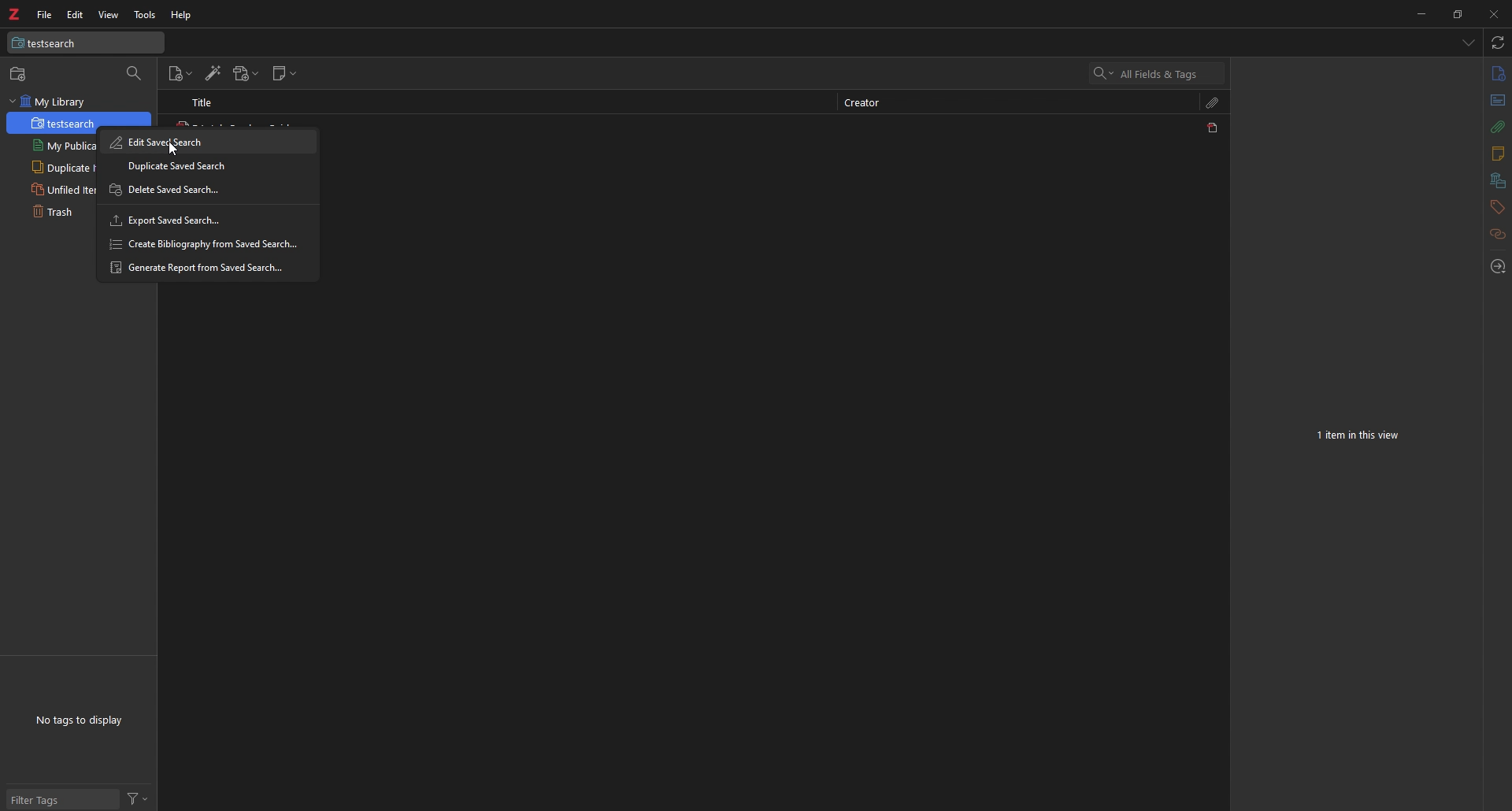  I want to click on help, so click(182, 16).